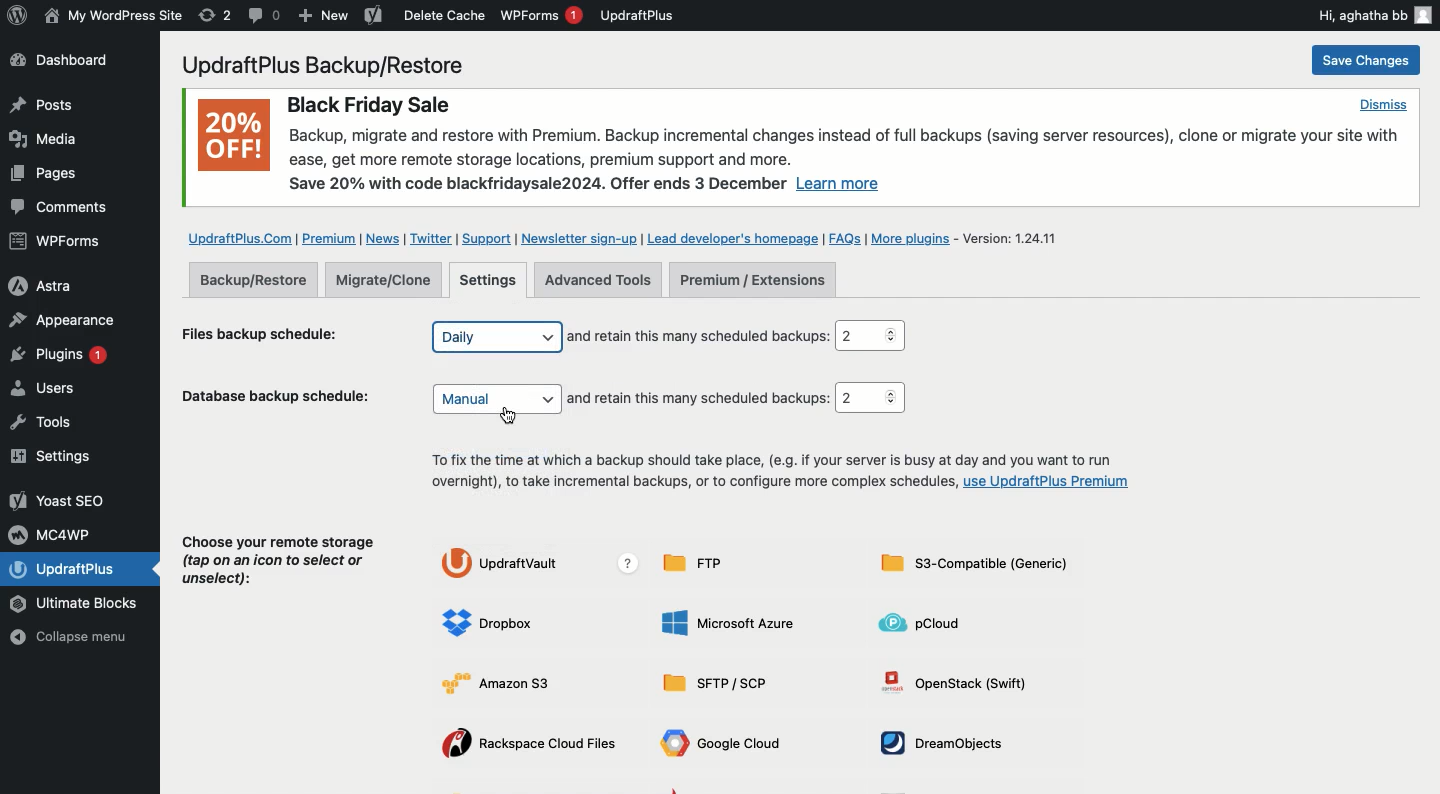 The width and height of the screenshot is (1440, 794). I want to click on Dismiss, so click(1382, 104).